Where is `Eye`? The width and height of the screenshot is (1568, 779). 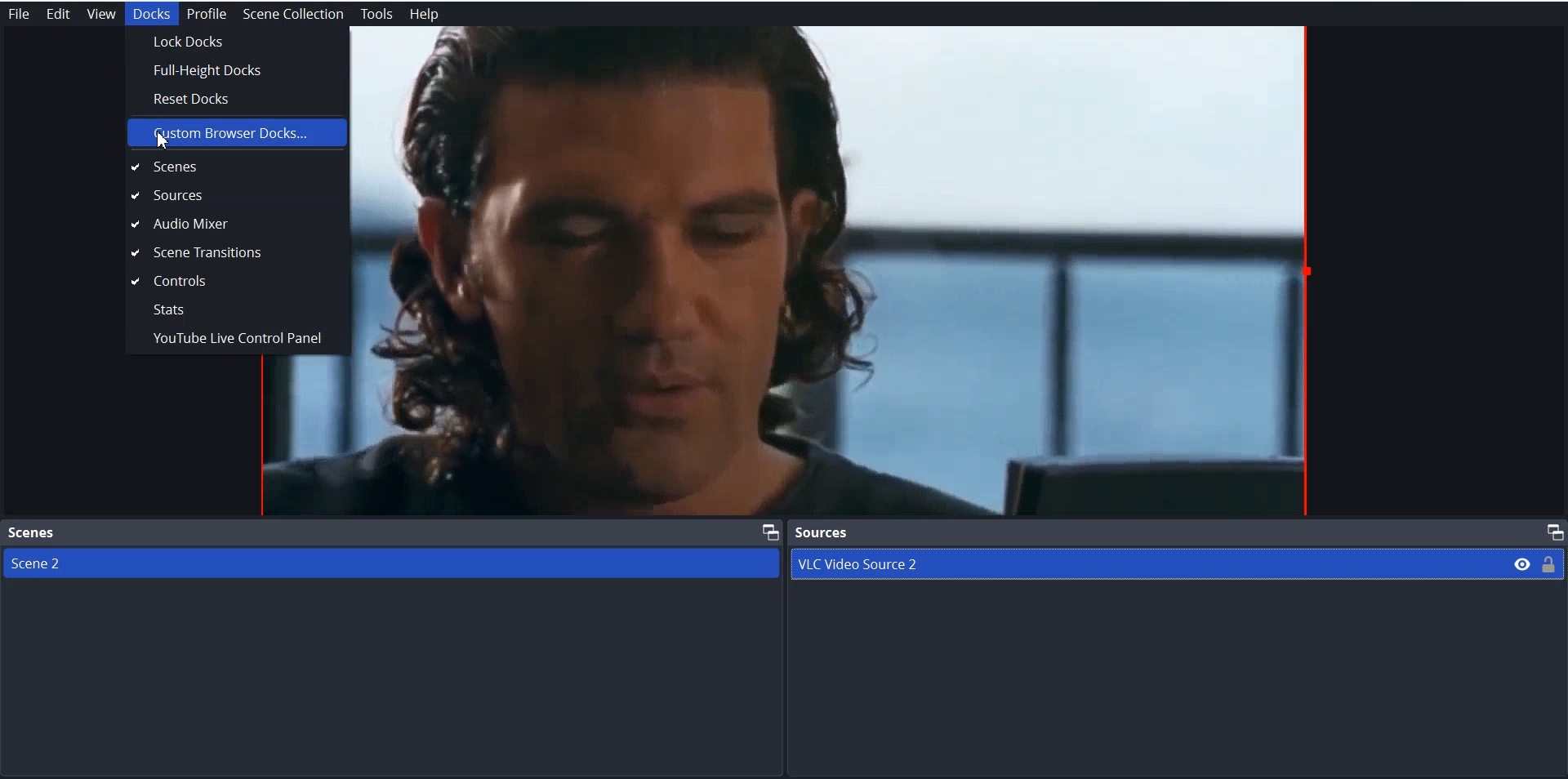 Eye is located at coordinates (1522, 563).